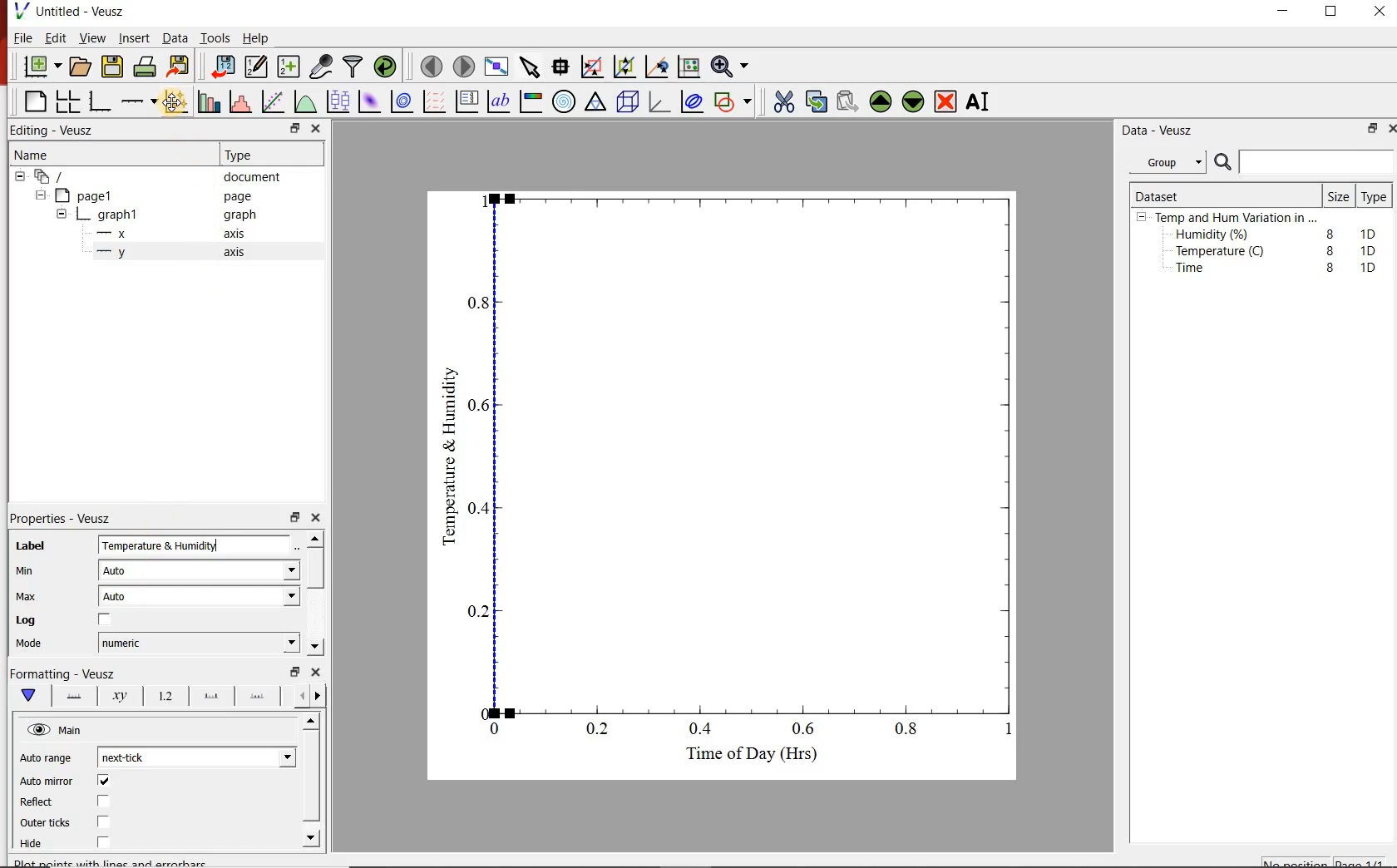 The image size is (1397, 868). What do you see at coordinates (67, 782) in the screenshot?
I see `Auto mirror` at bounding box center [67, 782].